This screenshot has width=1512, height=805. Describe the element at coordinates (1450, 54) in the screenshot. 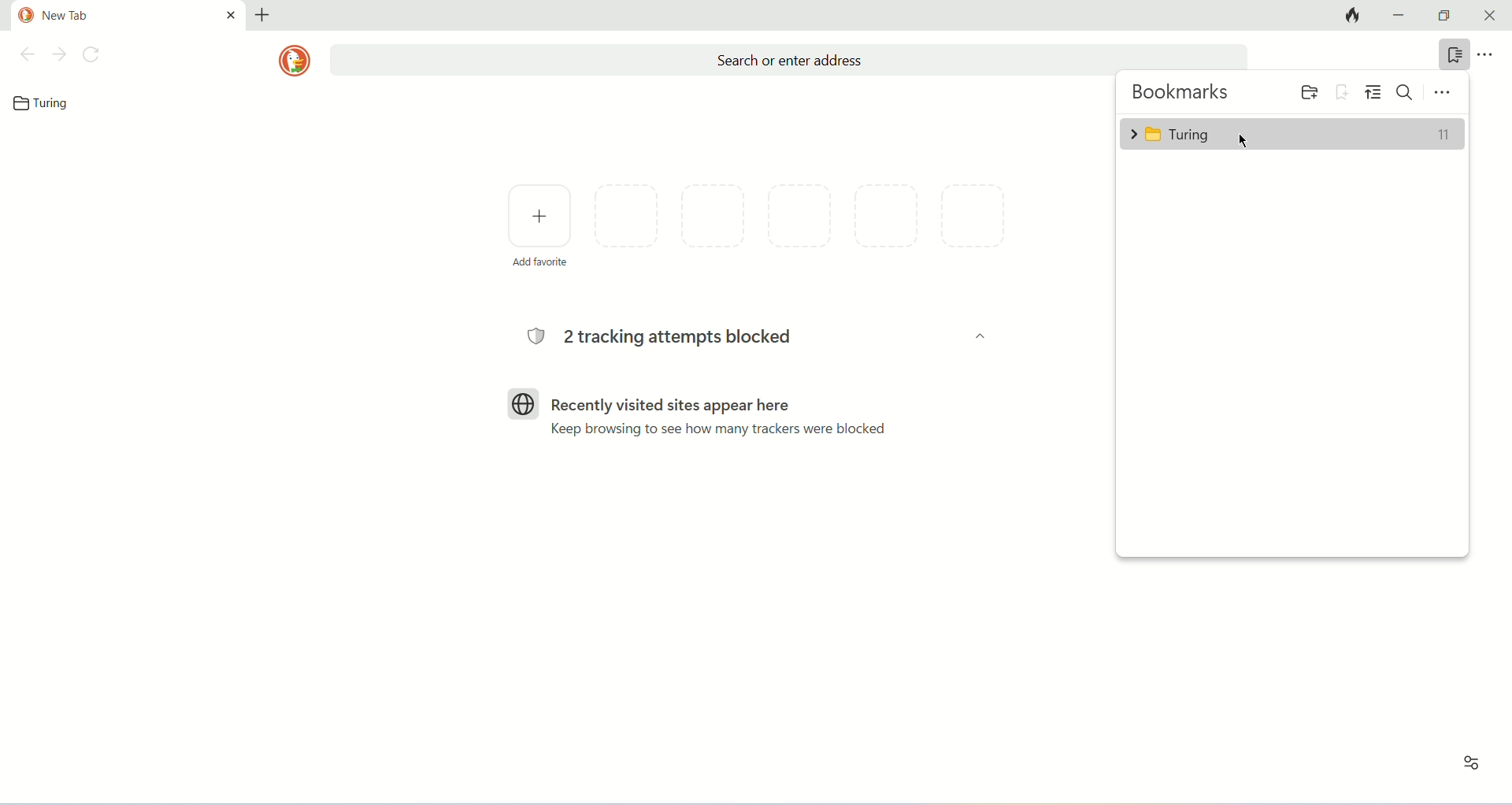

I see `bookmarks` at that location.